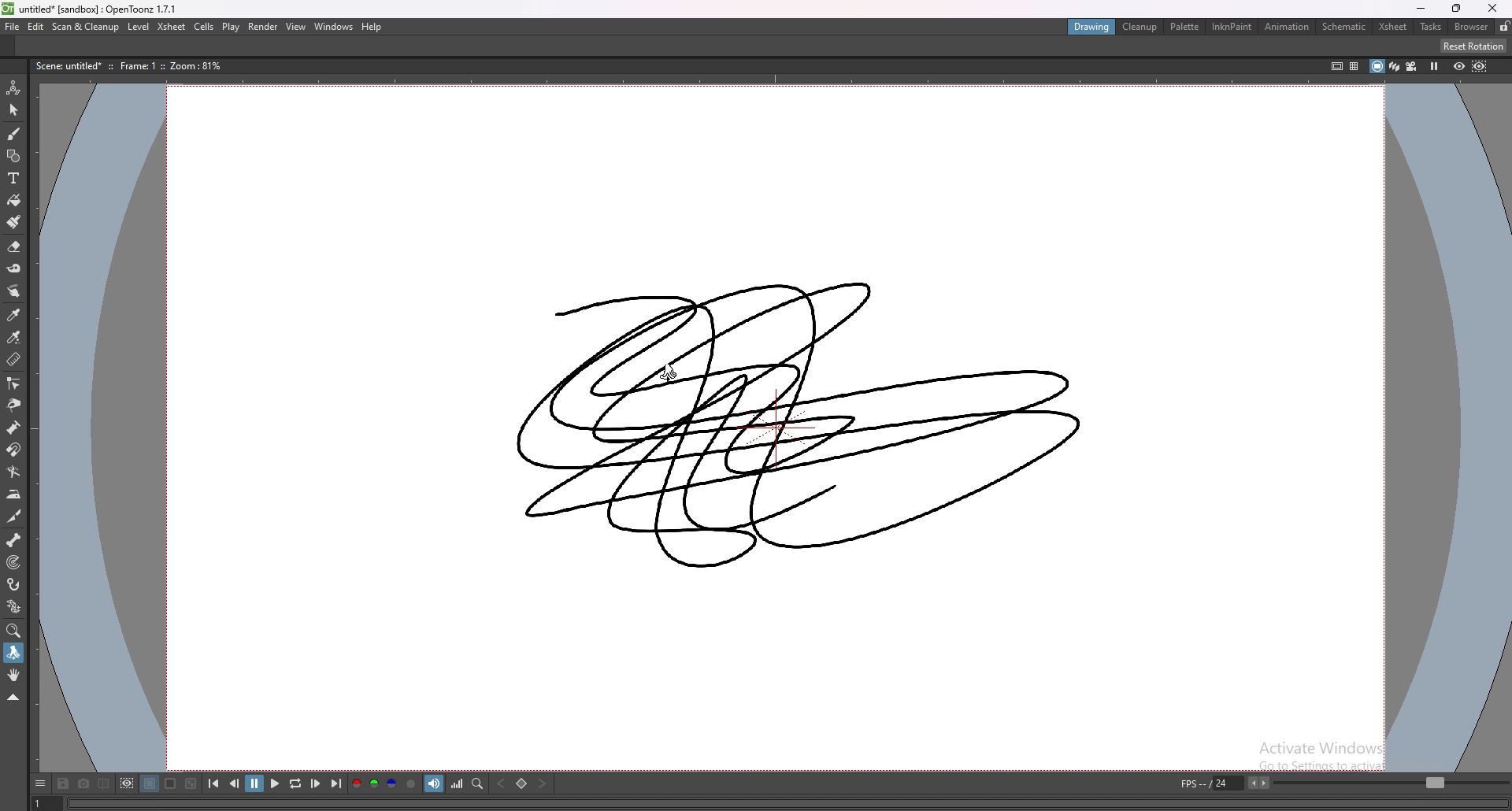  What do you see at coordinates (13, 631) in the screenshot?
I see `zoom` at bounding box center [13, 631].